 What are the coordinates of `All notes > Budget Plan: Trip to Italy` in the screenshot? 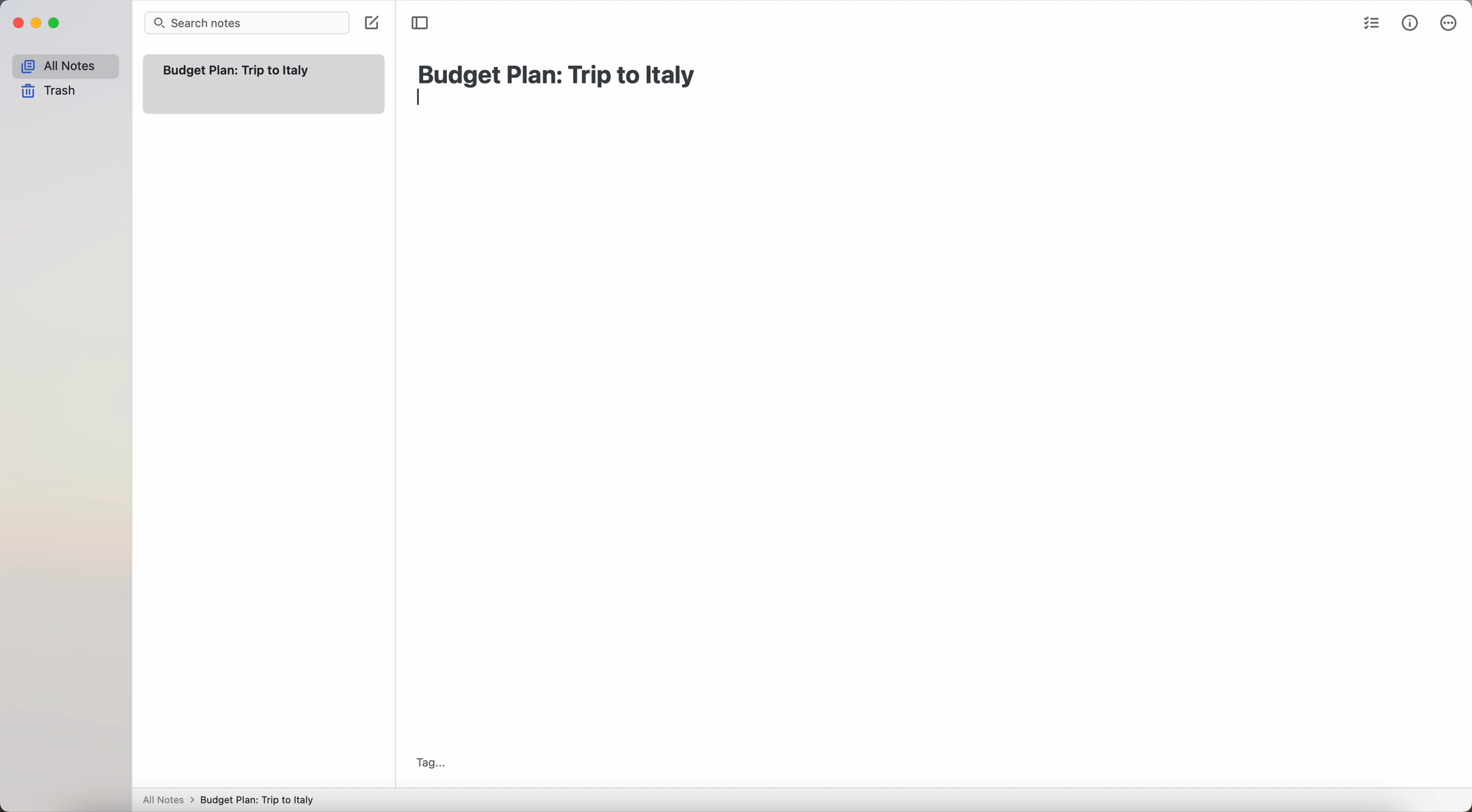 It's located at (234, 799).